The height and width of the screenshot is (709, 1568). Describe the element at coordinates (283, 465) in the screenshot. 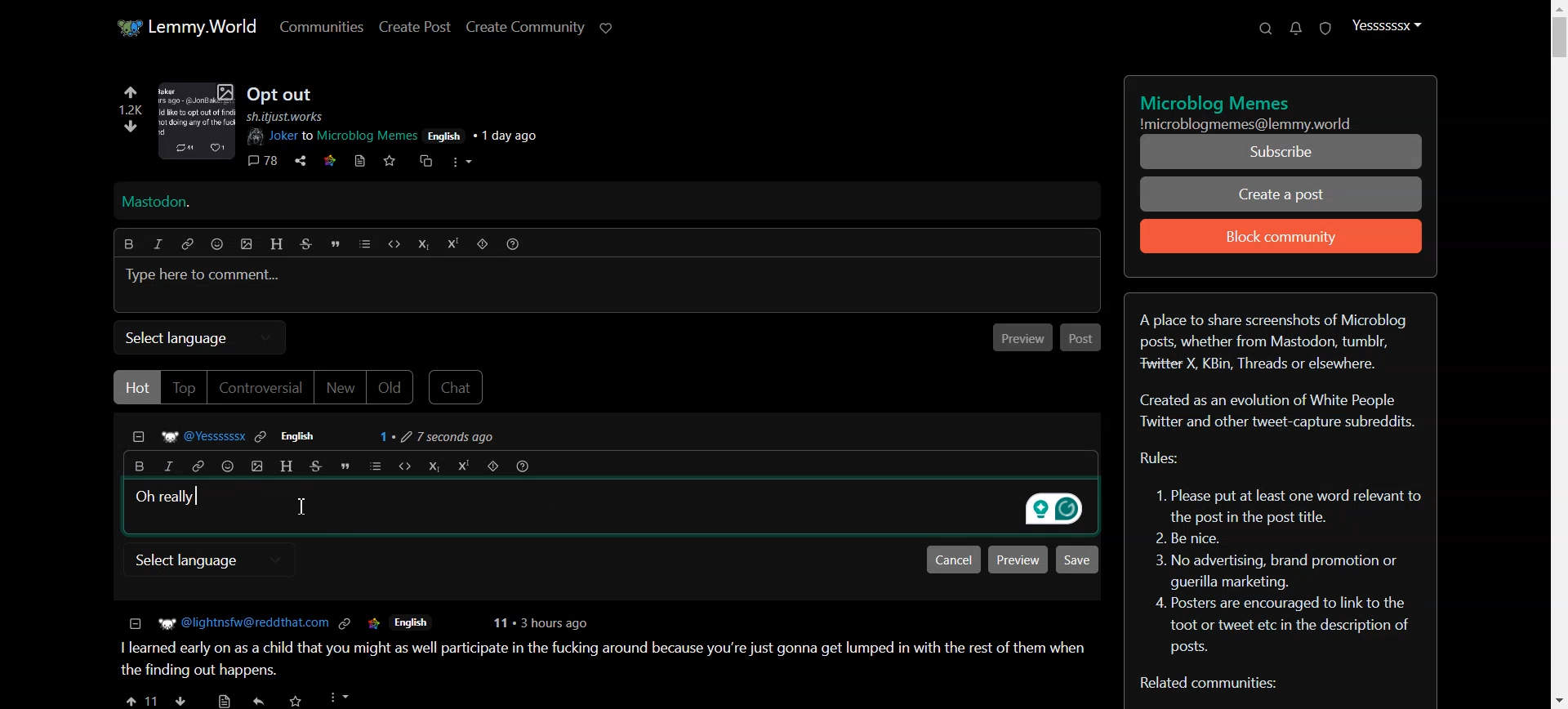

I see `Header` at that location.